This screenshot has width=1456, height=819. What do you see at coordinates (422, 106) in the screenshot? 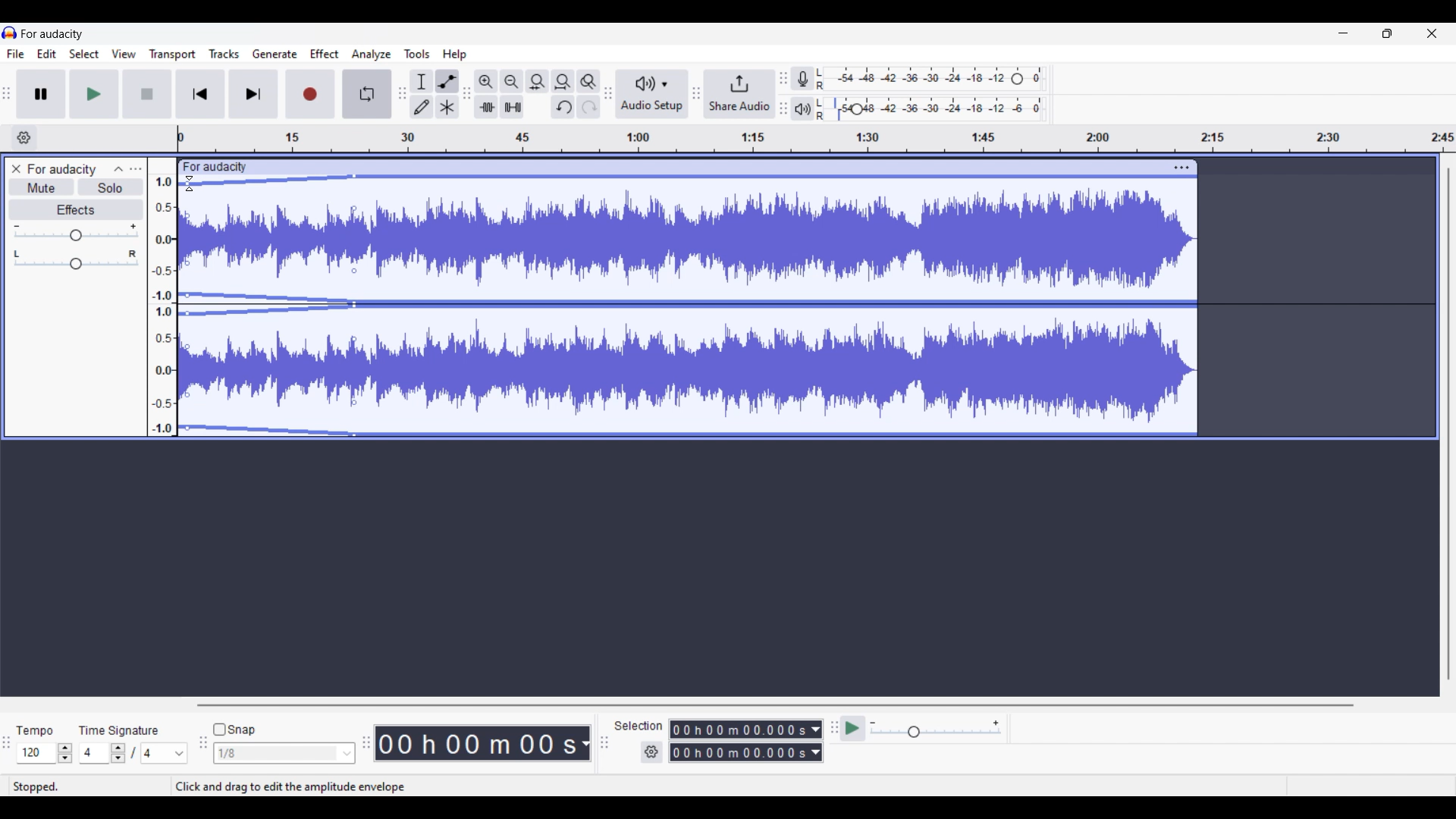
I see `Draw tool` at bounding box center [422, 106].